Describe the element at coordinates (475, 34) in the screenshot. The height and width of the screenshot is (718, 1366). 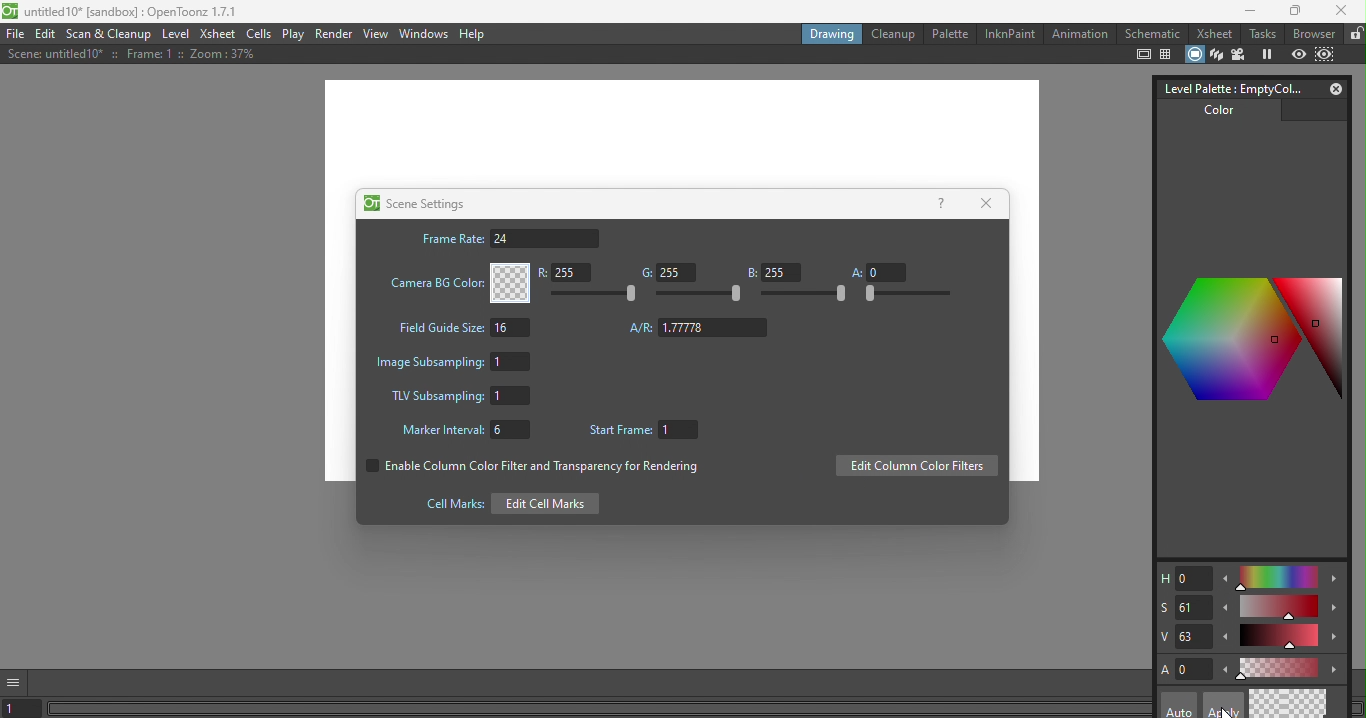
I see `Help` at that location.